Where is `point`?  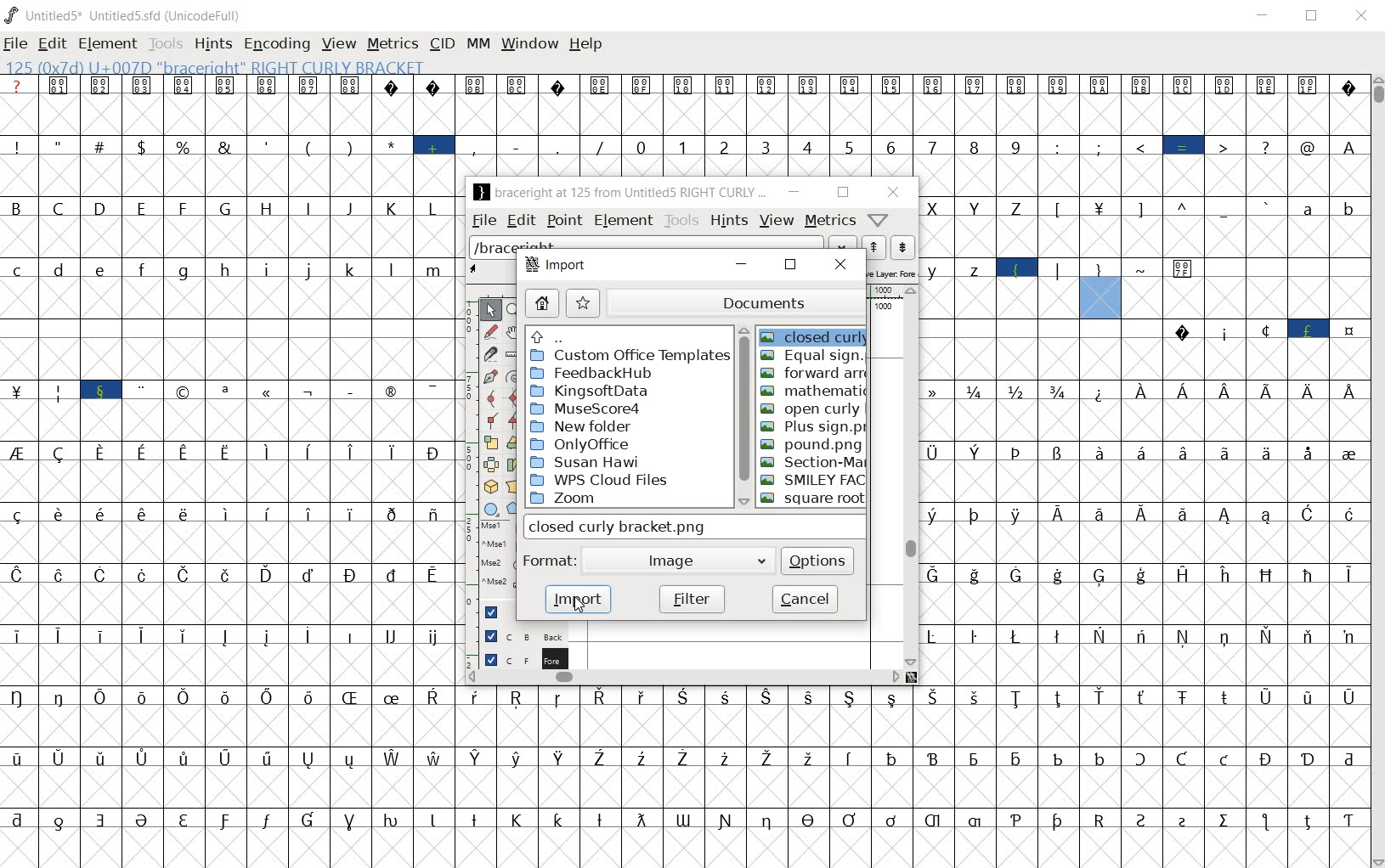 point is located at coordinates (564, 220).